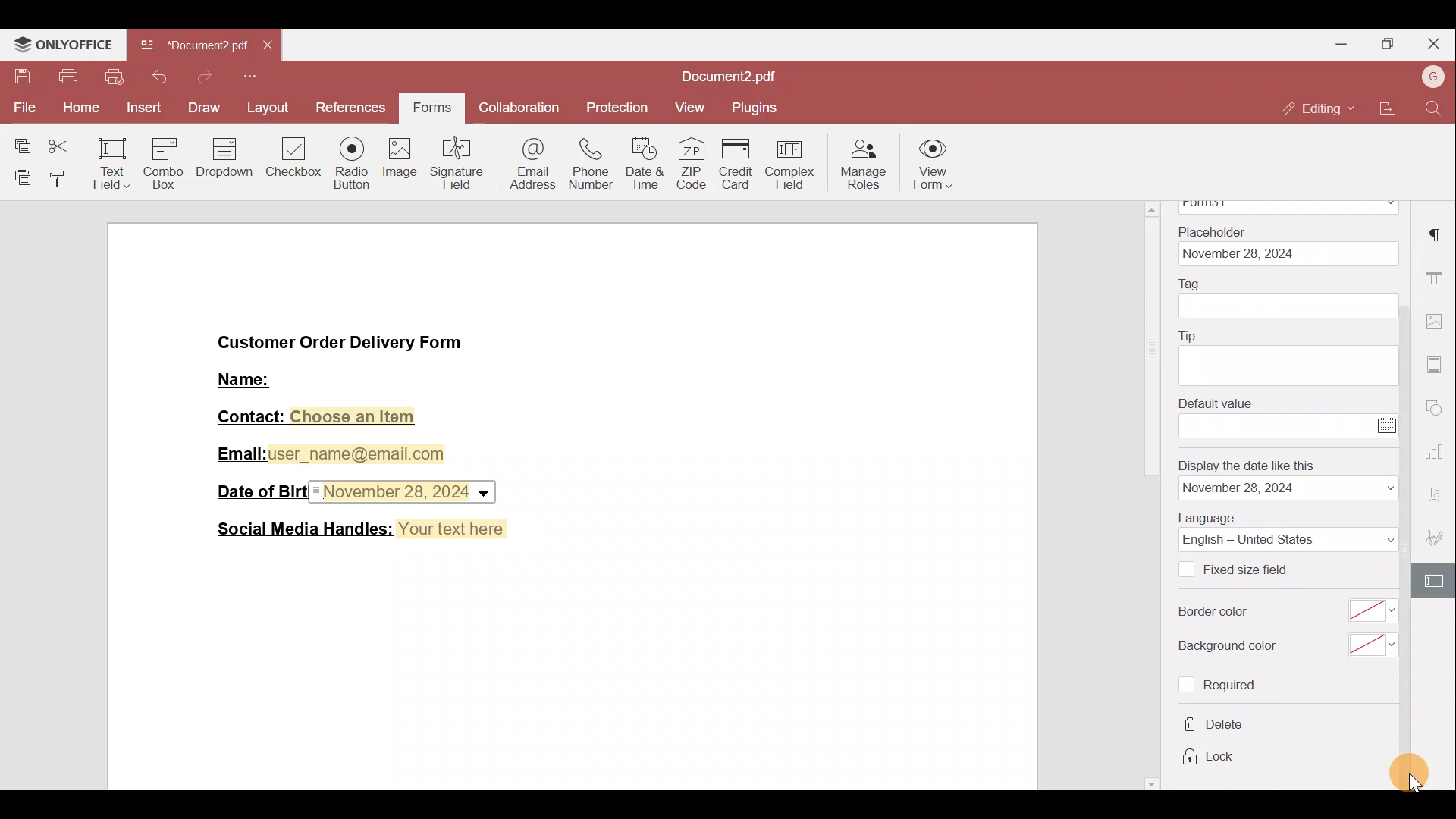 This screenshot has width=1456, height=819. I want to click on Paste, so click(18, 174).